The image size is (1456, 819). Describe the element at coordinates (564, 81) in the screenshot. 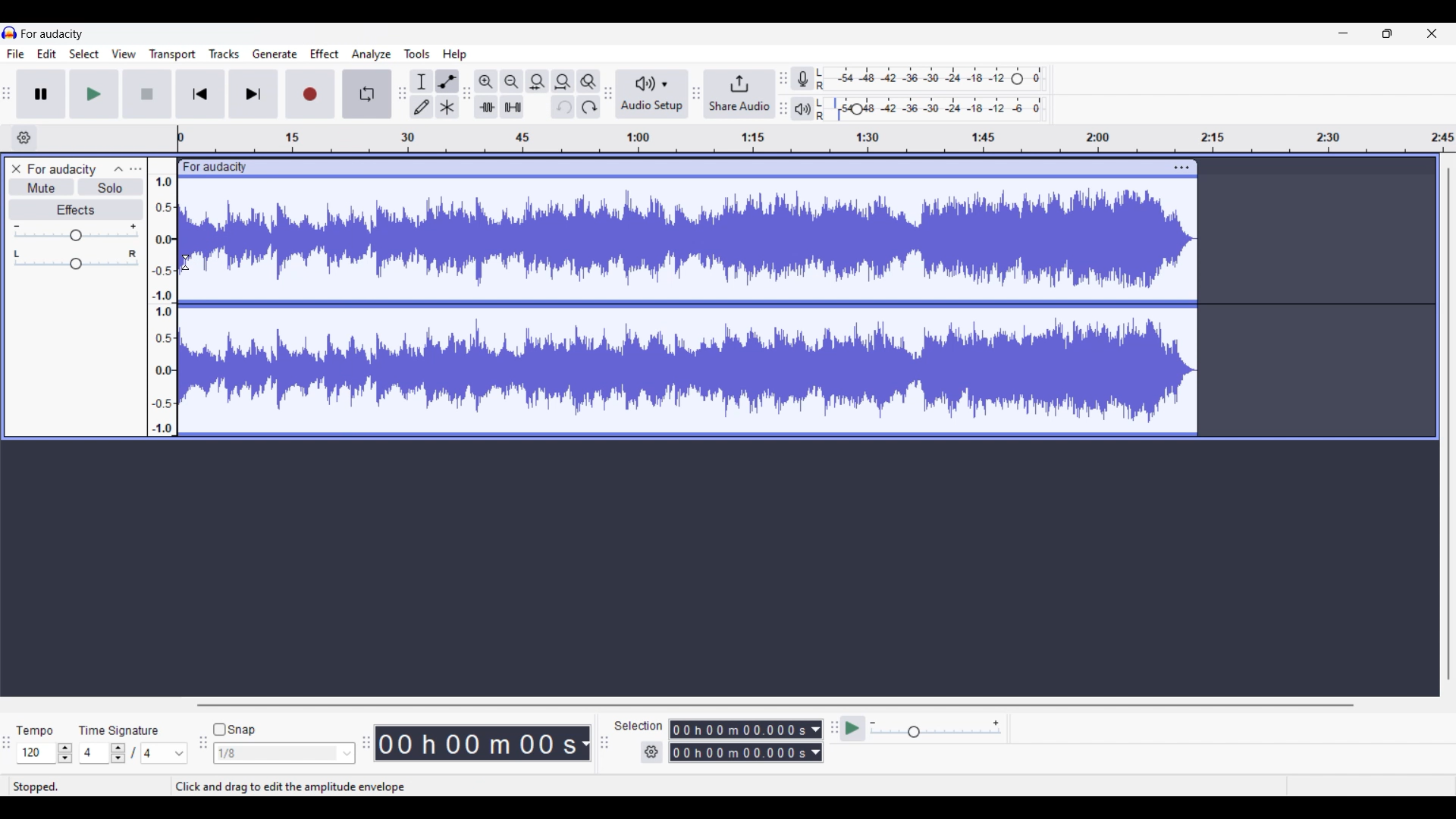

I see `Fit project to width` at that location.